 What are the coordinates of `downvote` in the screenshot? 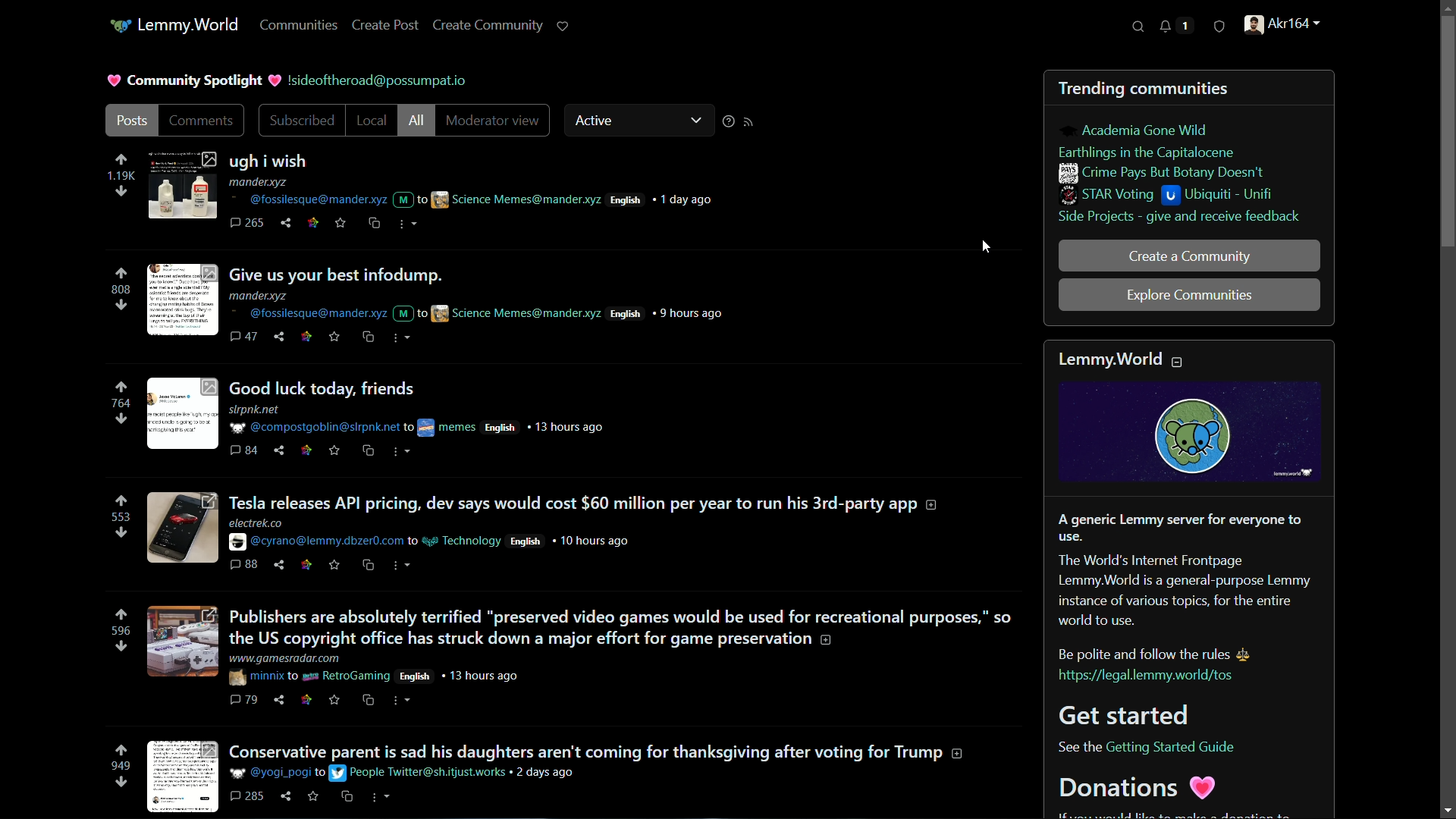 It's located at (121, 783).